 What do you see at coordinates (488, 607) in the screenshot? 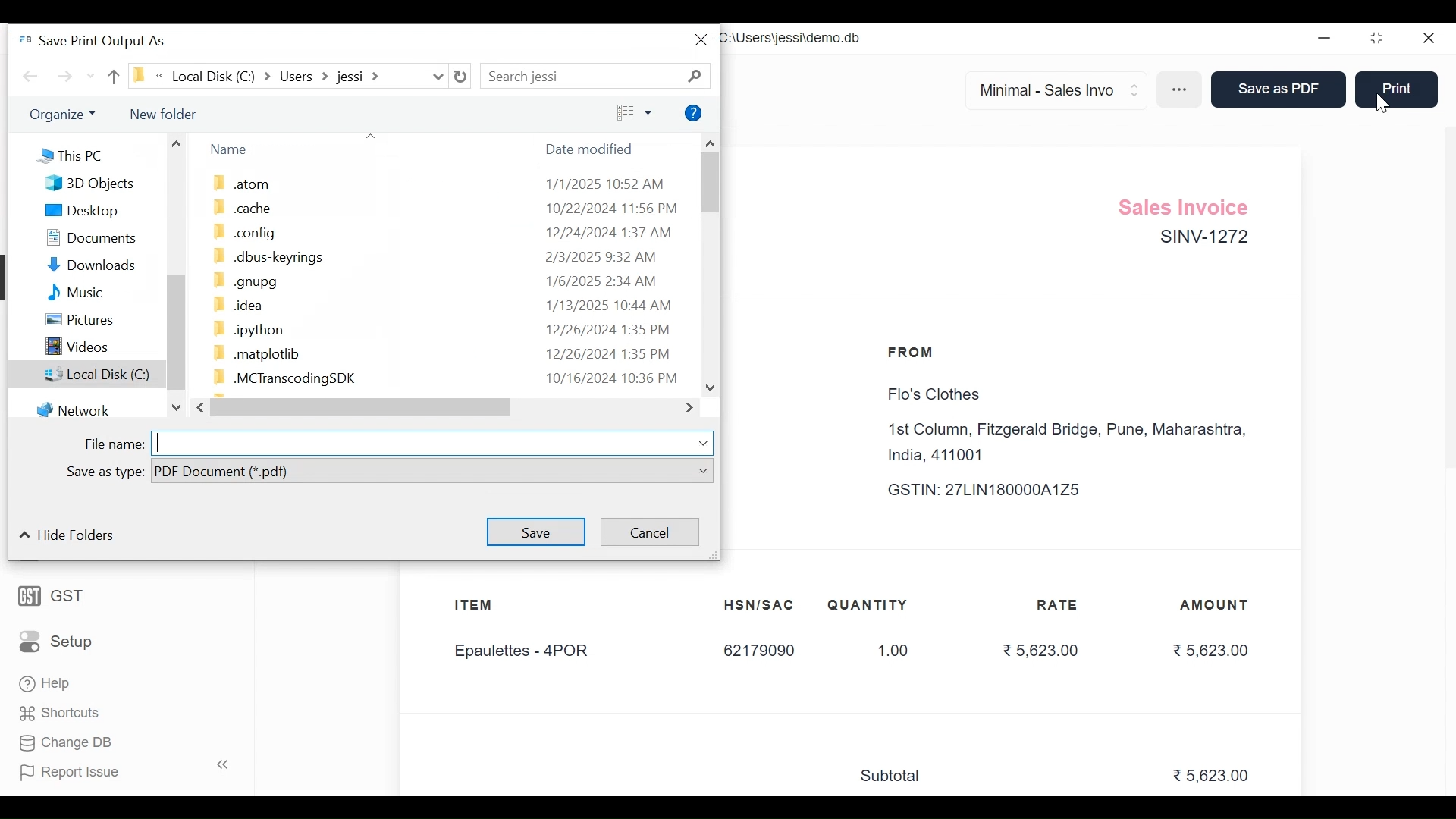
I see `ITEM` at bounding box center [488, 607].